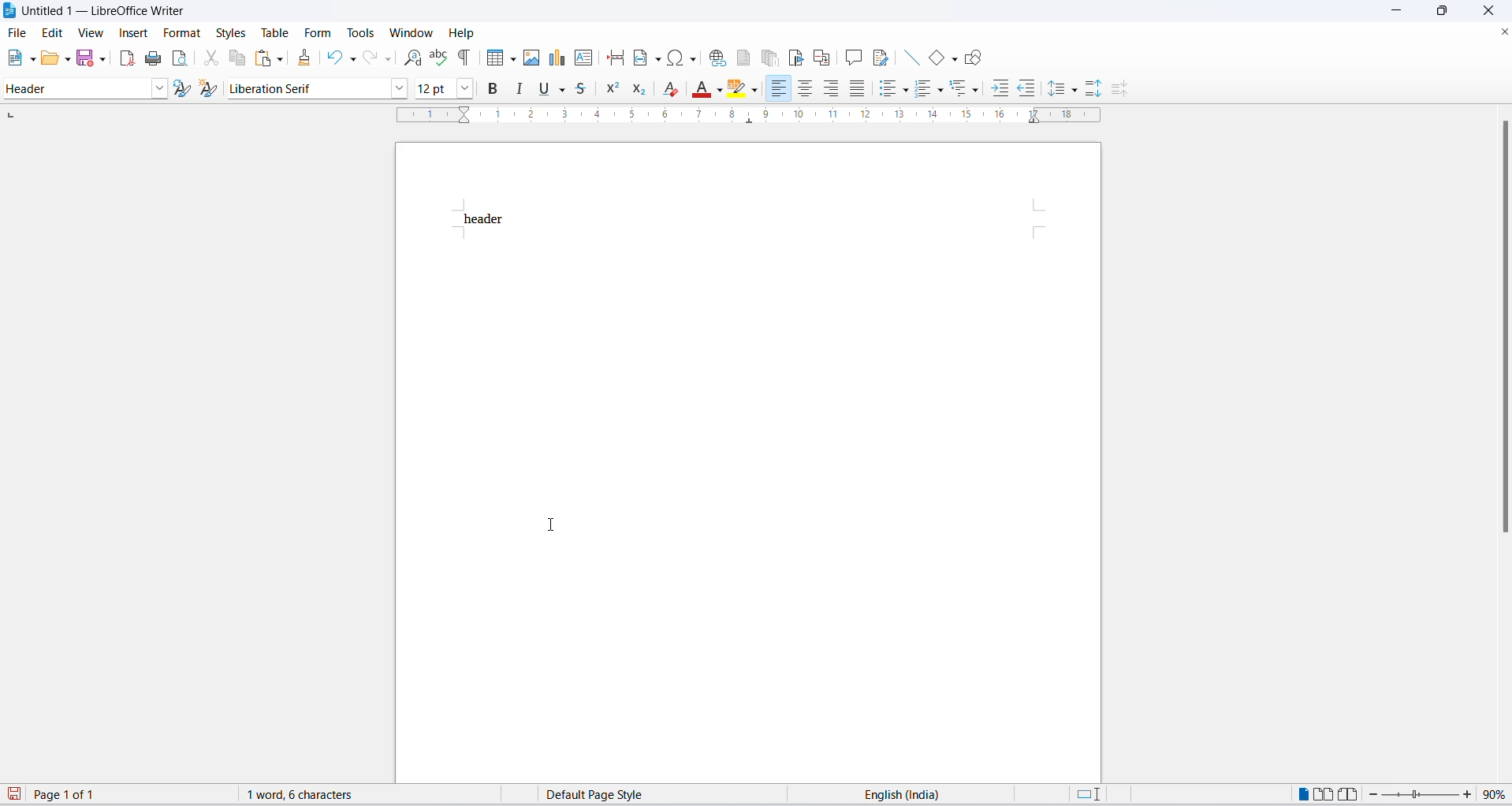  Describe the element at coordinates (1469, 794) in the screenshot. I see `increase` at that location.